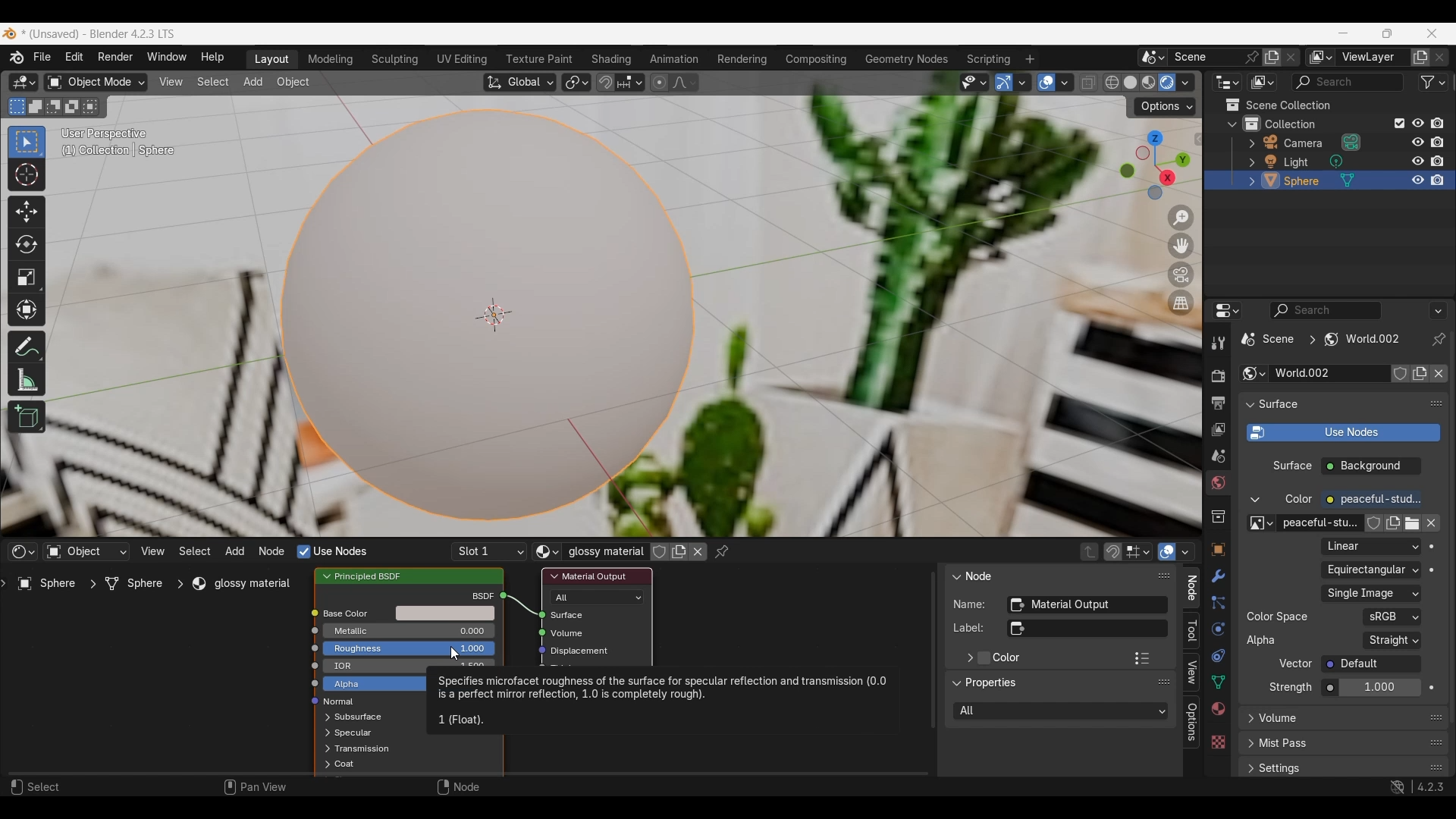  I want to click on Rendered and viewport shading types to use the shades for, so click(1062, 711).